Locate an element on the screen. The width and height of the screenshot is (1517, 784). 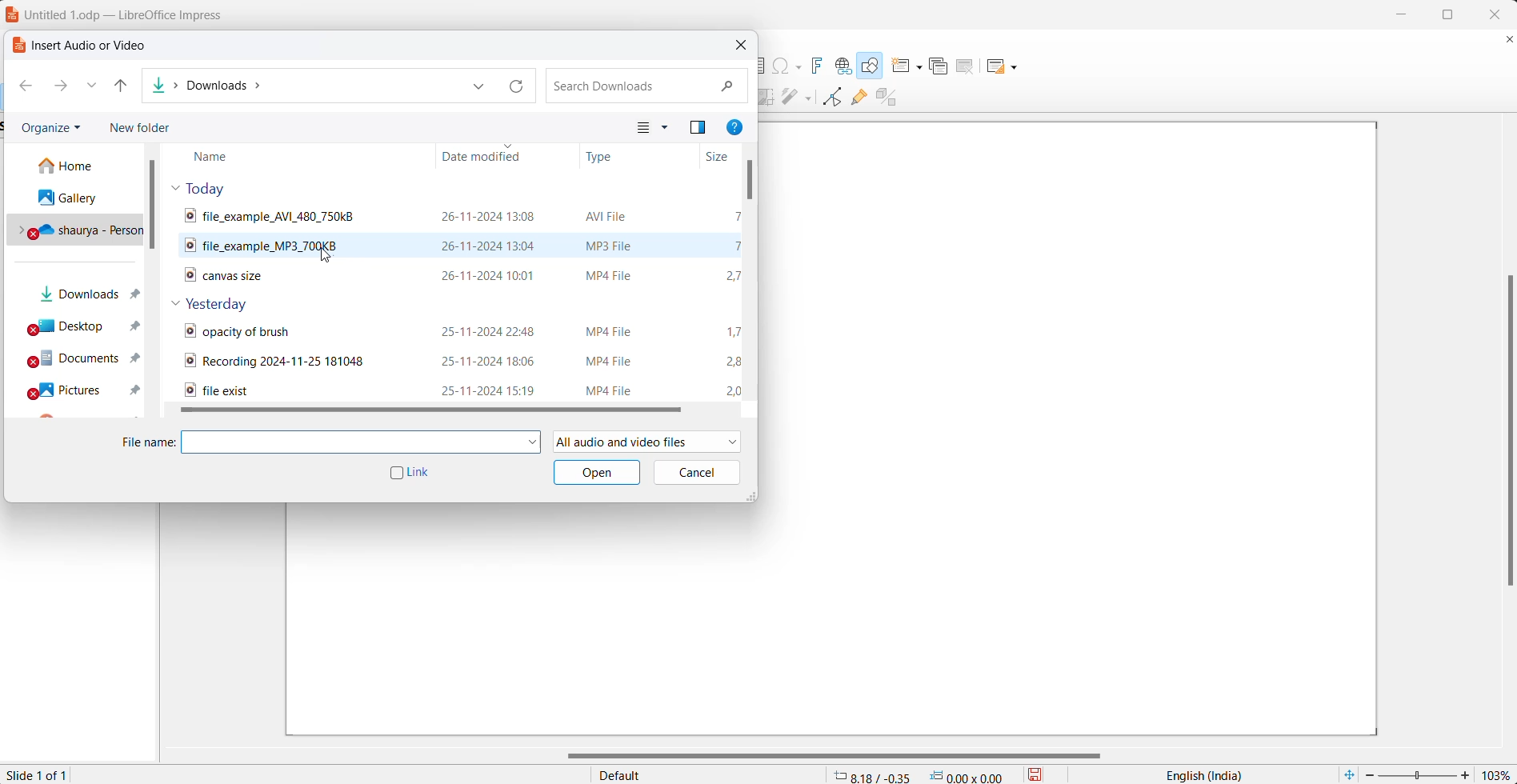
video file name is located at coordinates (282, 216).